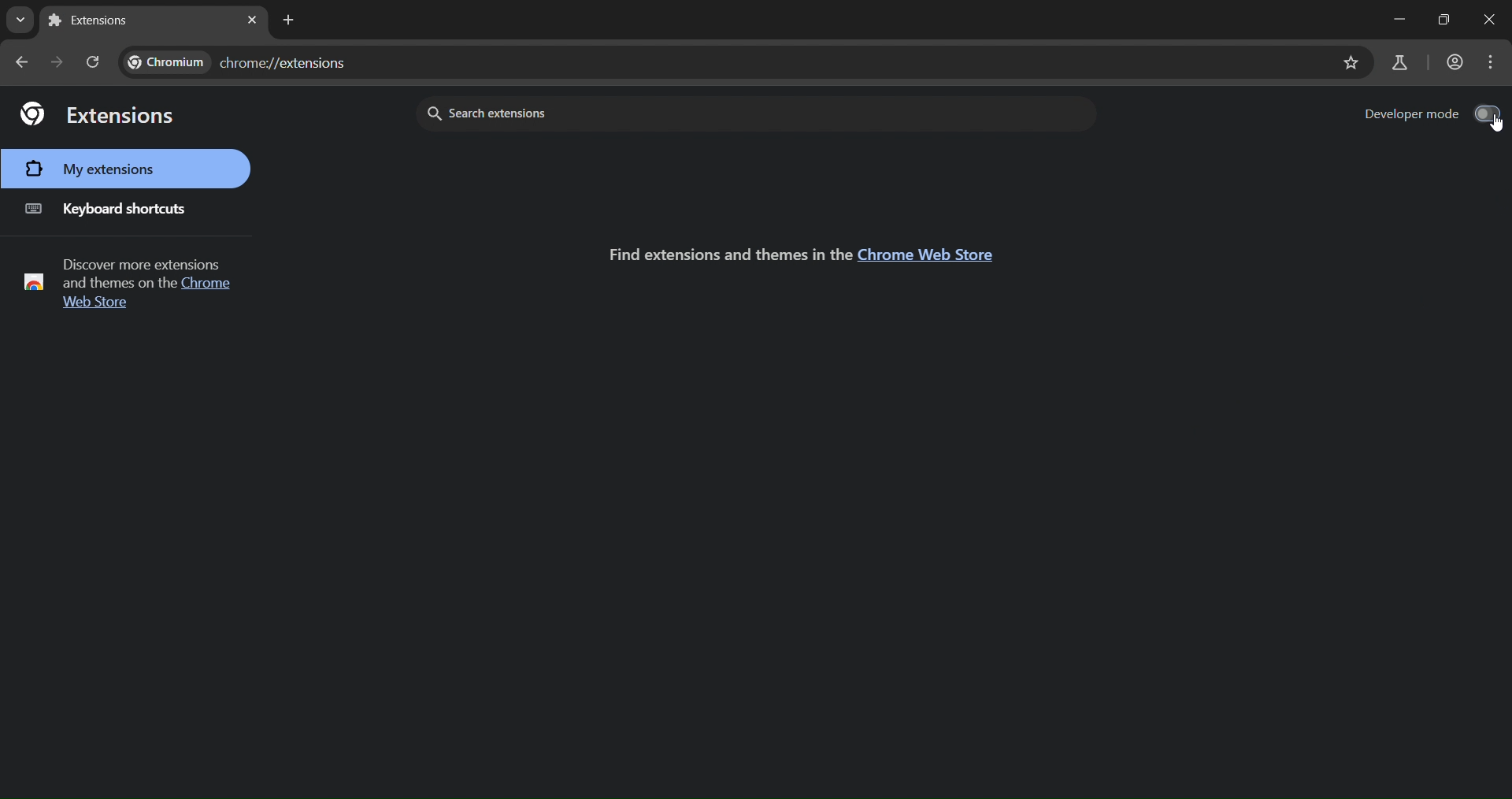 Image resolution: width=1512 pixels, height=799 pixels. I want to click on pointer cursor, so click(1488, 128).